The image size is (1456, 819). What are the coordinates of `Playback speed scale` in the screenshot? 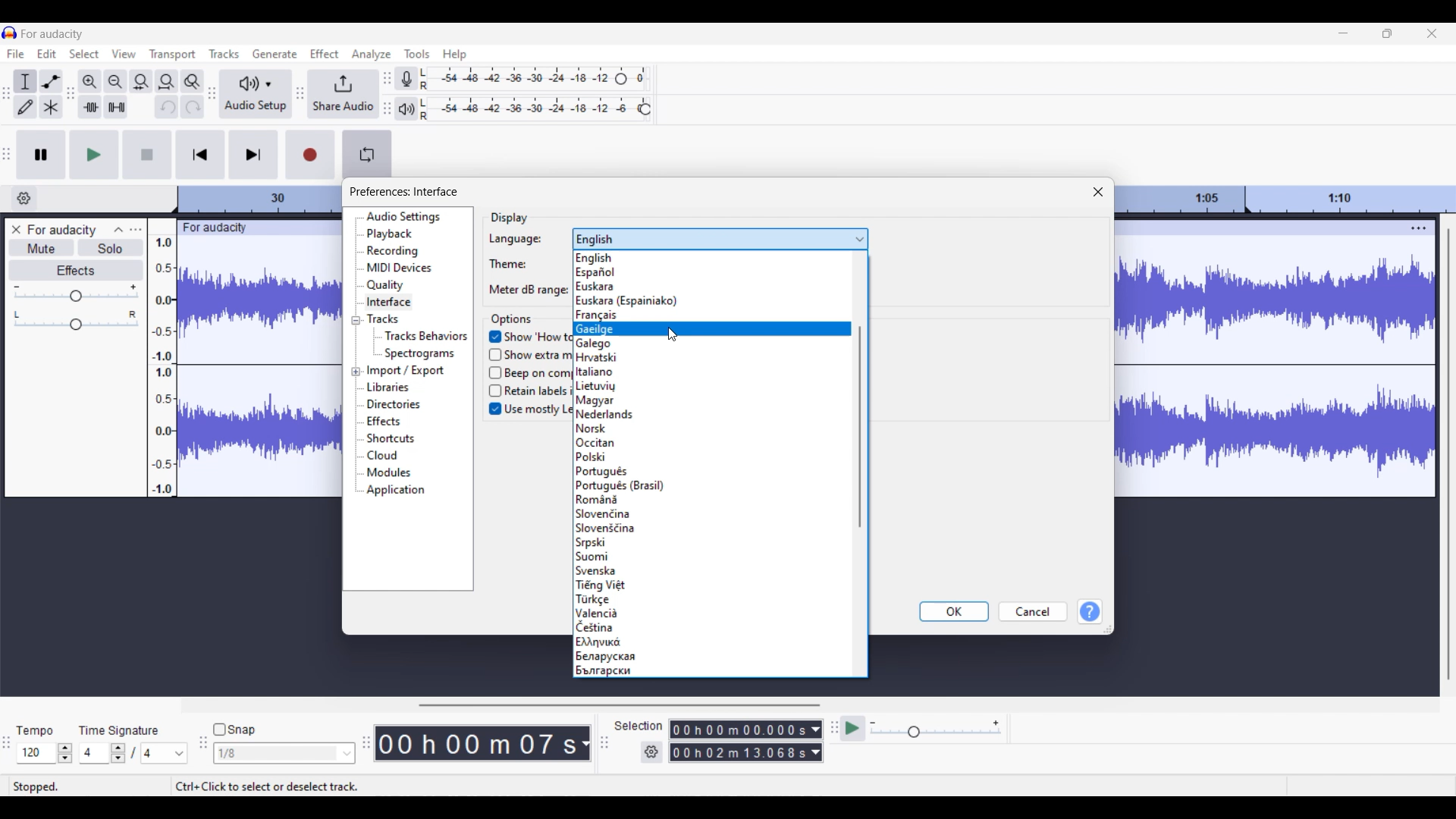 It's located at (936, 728).